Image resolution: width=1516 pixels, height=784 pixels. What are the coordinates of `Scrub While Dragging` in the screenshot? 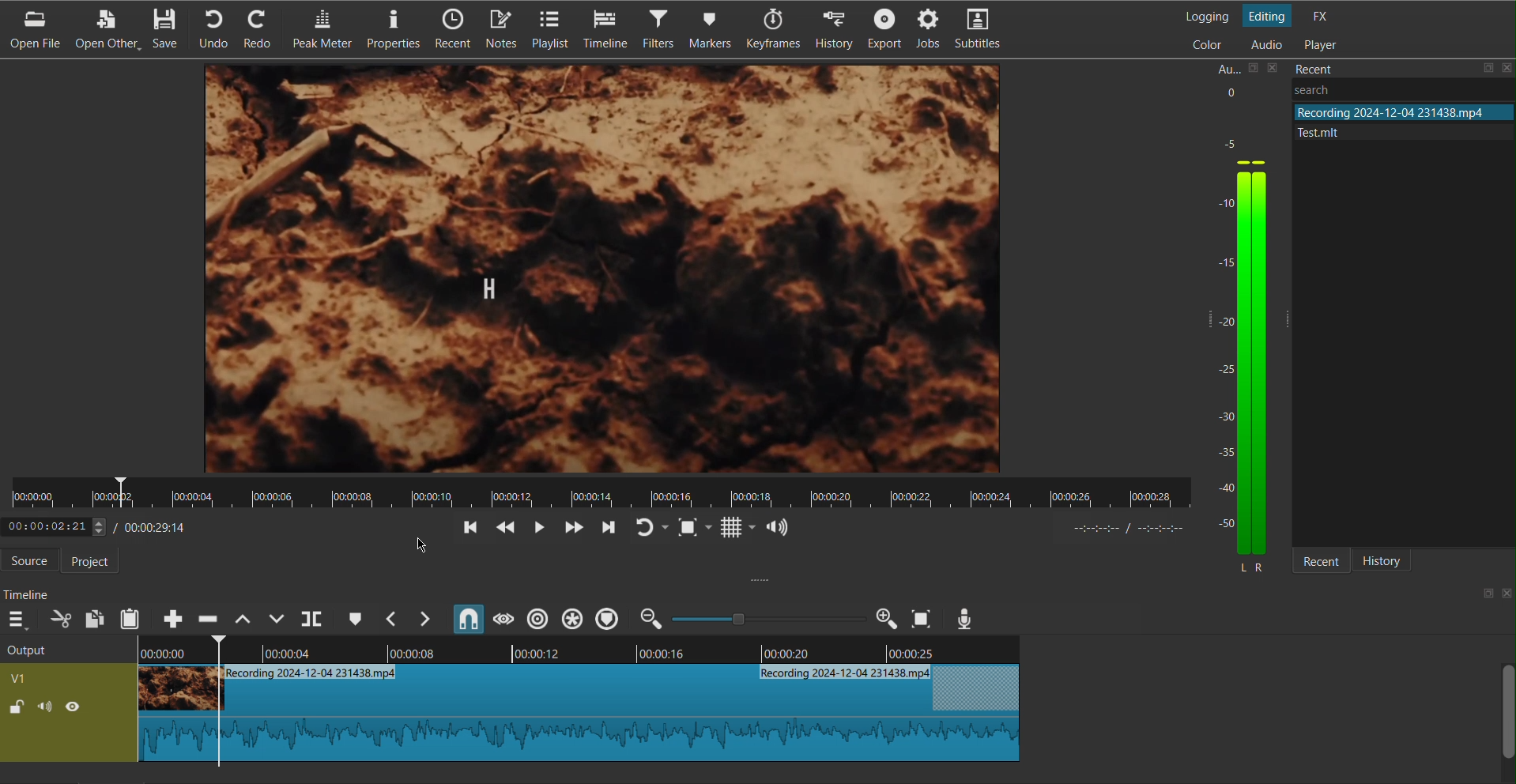 It's located at (501, 618).